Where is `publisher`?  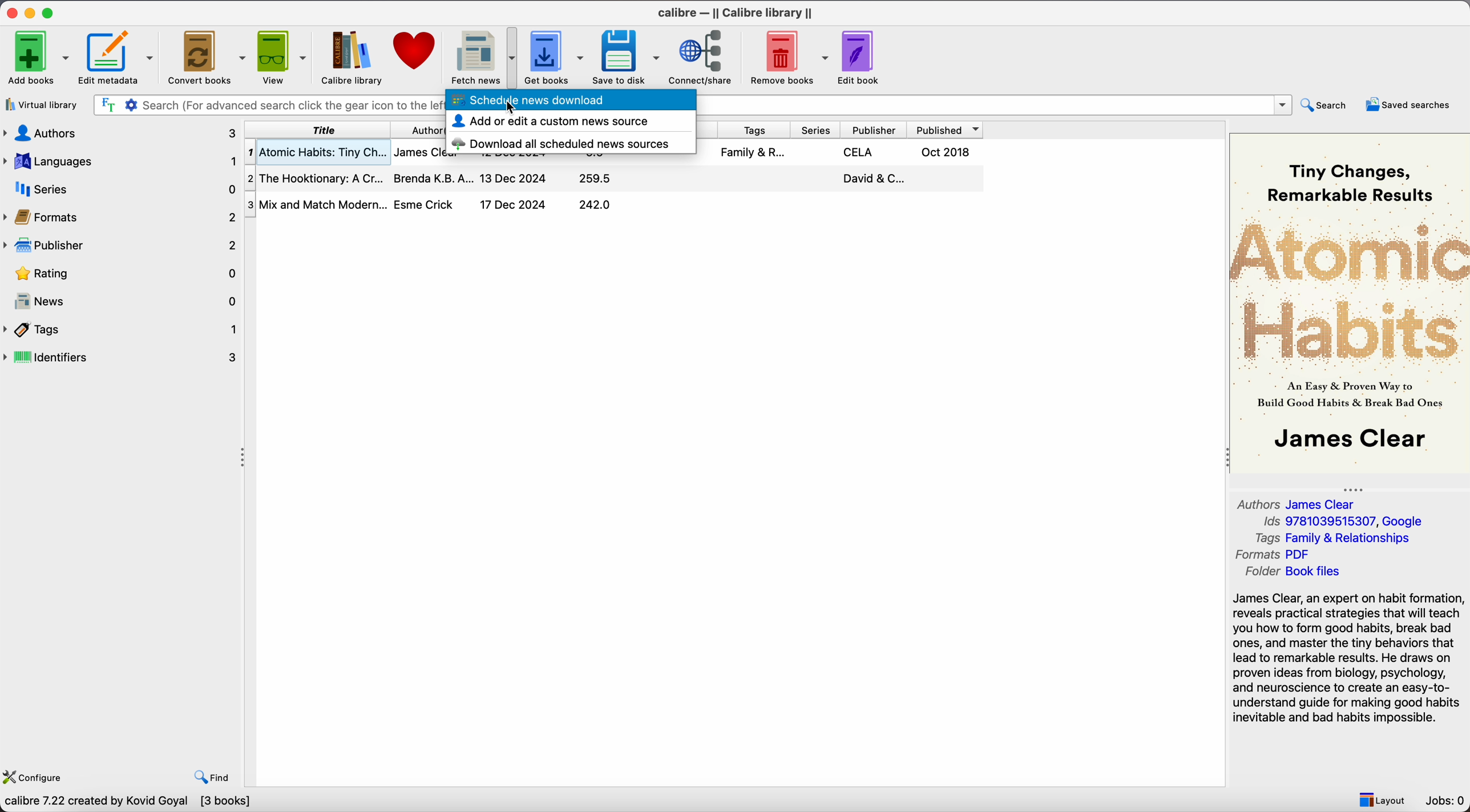 publisher is located at coordinates (119, 245).